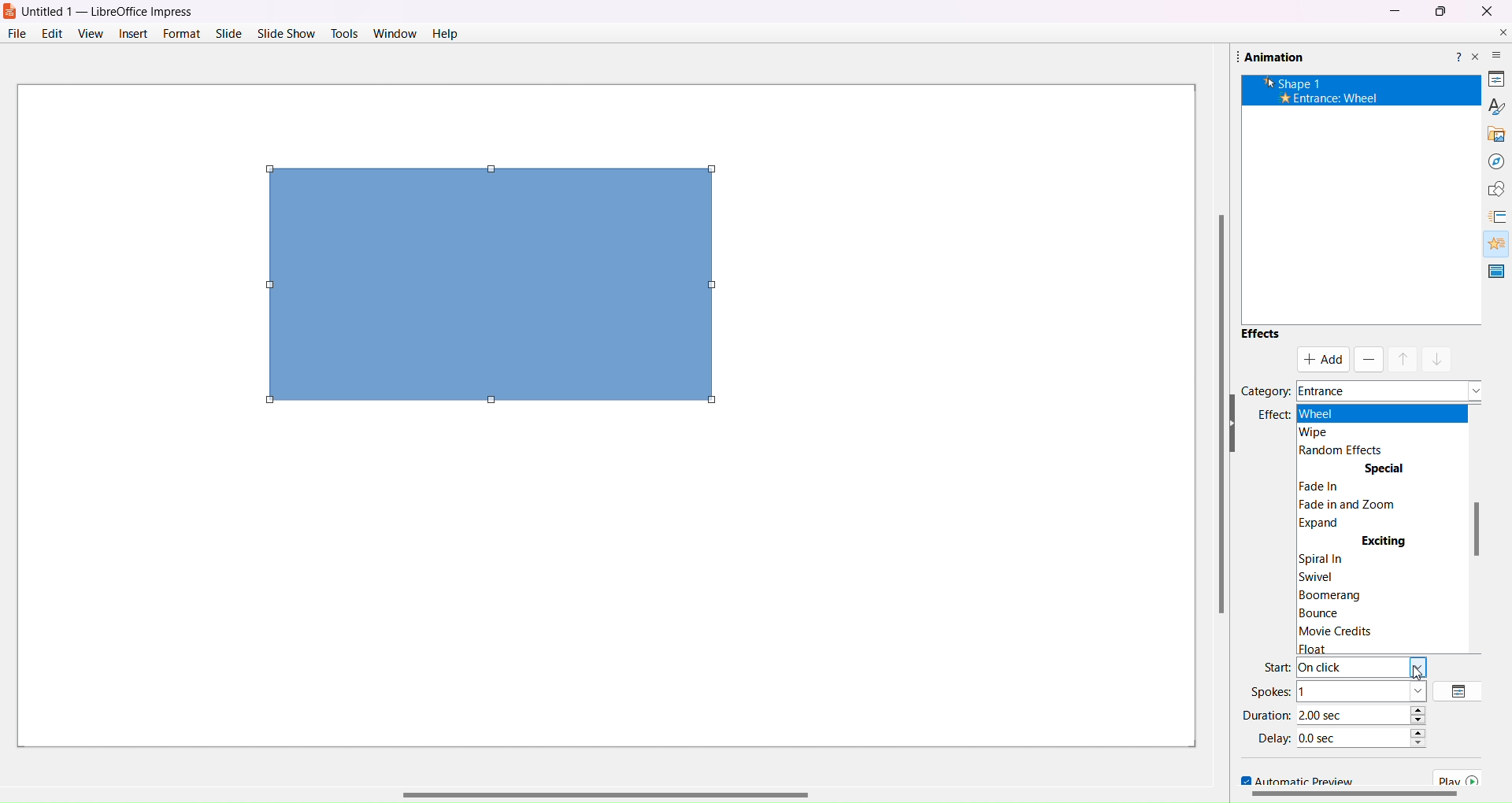  I want to click on Types of start, so click(1369, 668).